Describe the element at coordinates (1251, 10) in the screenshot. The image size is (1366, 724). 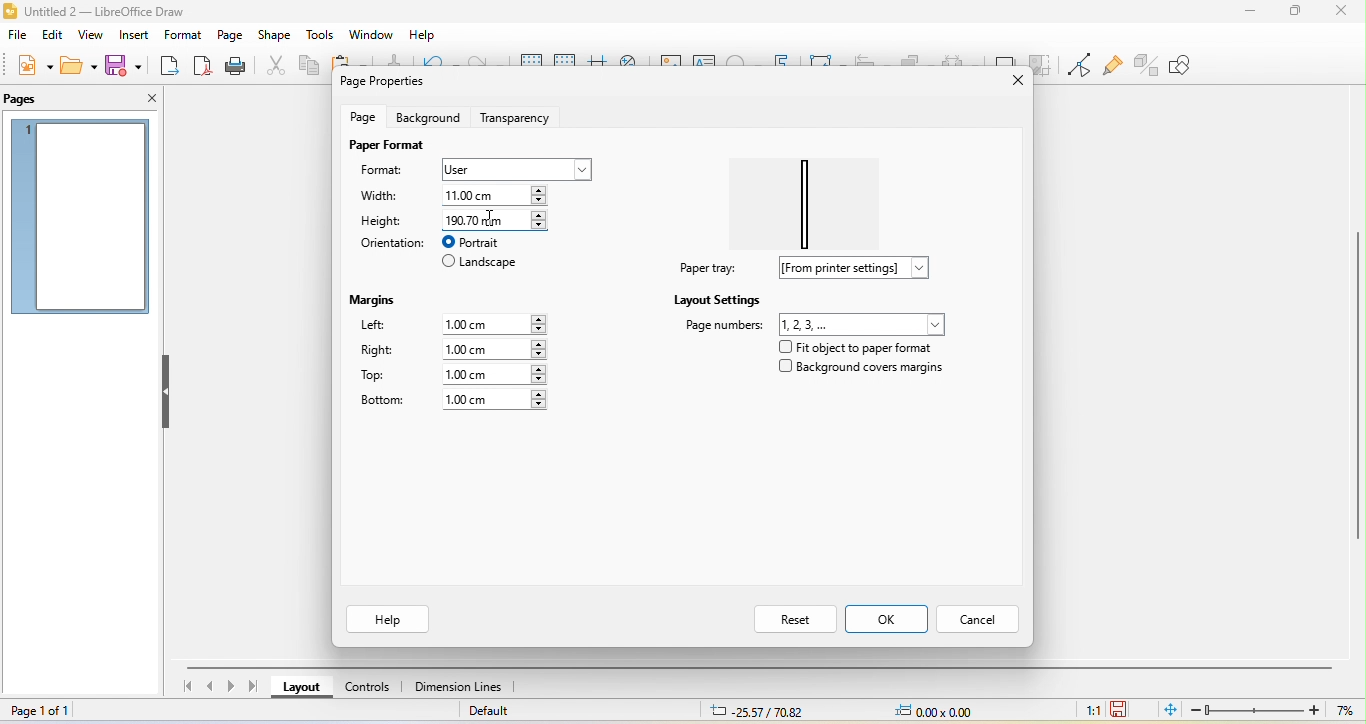
I see `minimize` at that location.